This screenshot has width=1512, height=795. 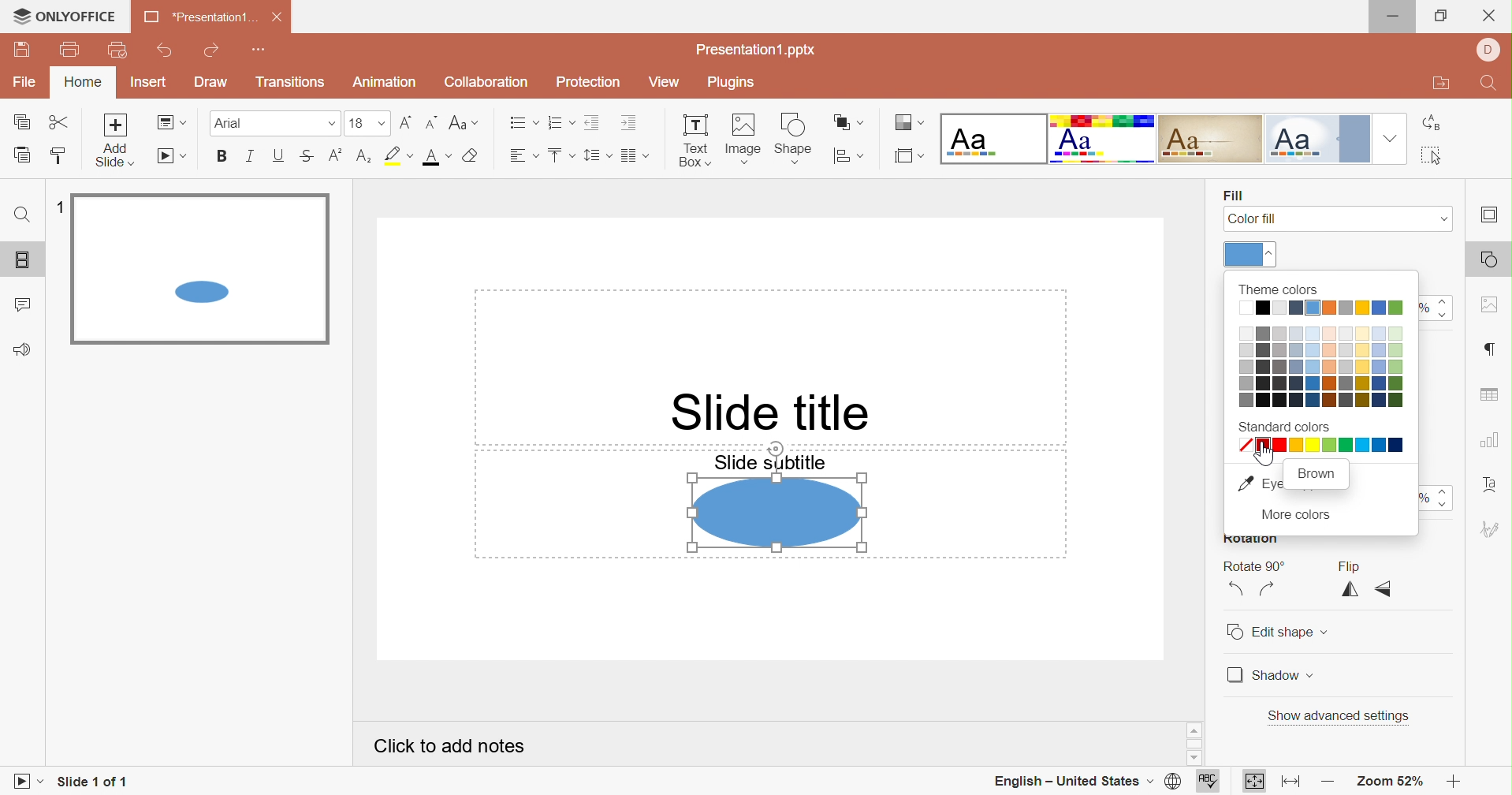 I want to click on Brown, so click(x=1317, y=474).